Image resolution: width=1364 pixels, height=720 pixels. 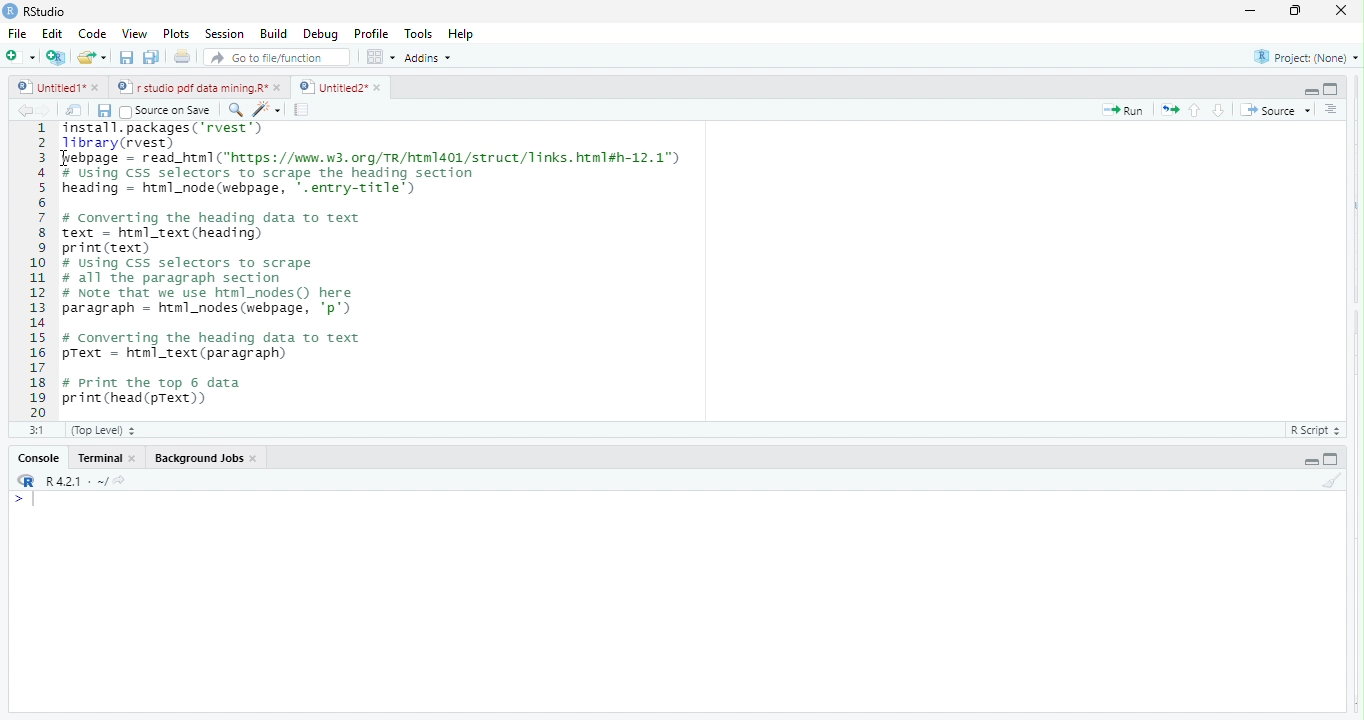 What do you see at coordinates (280, 87) in the screenshot?
I see `close` at bounding box center [280, 87].